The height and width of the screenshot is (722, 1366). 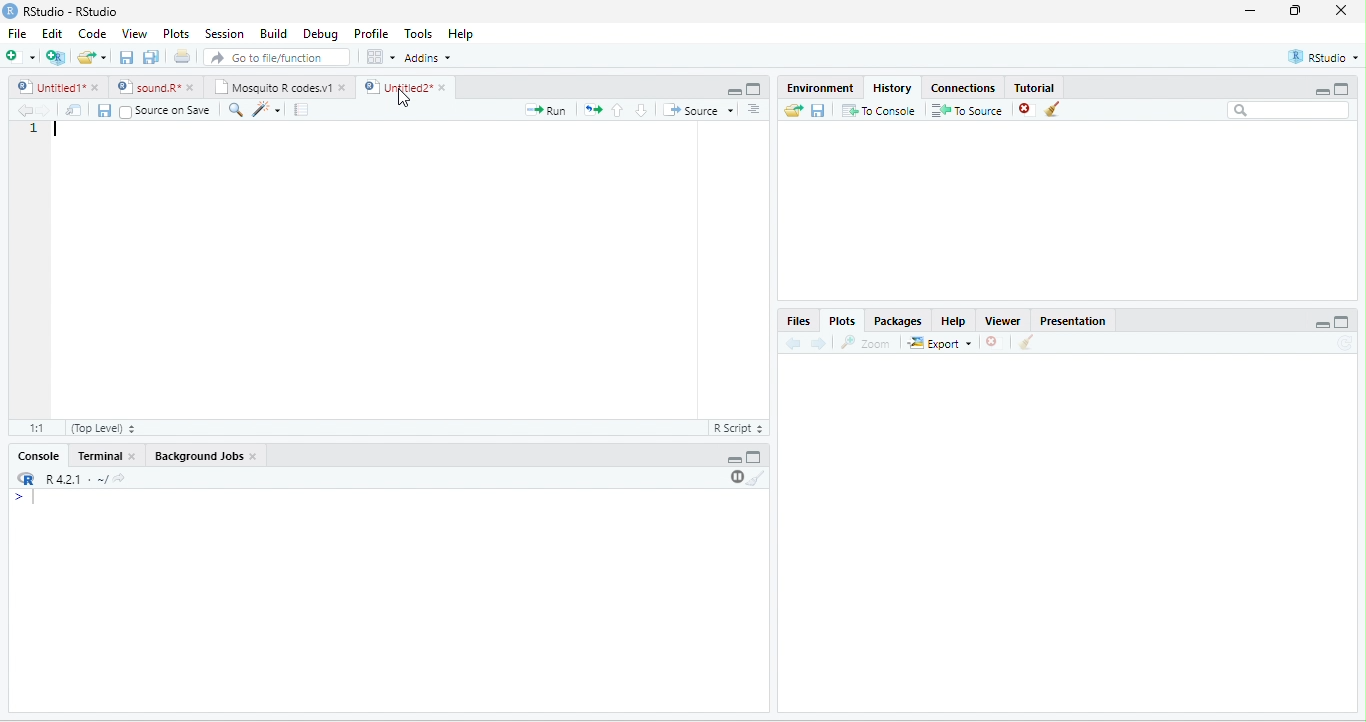 I want to click on Terminal, so click(x=97, y=455).